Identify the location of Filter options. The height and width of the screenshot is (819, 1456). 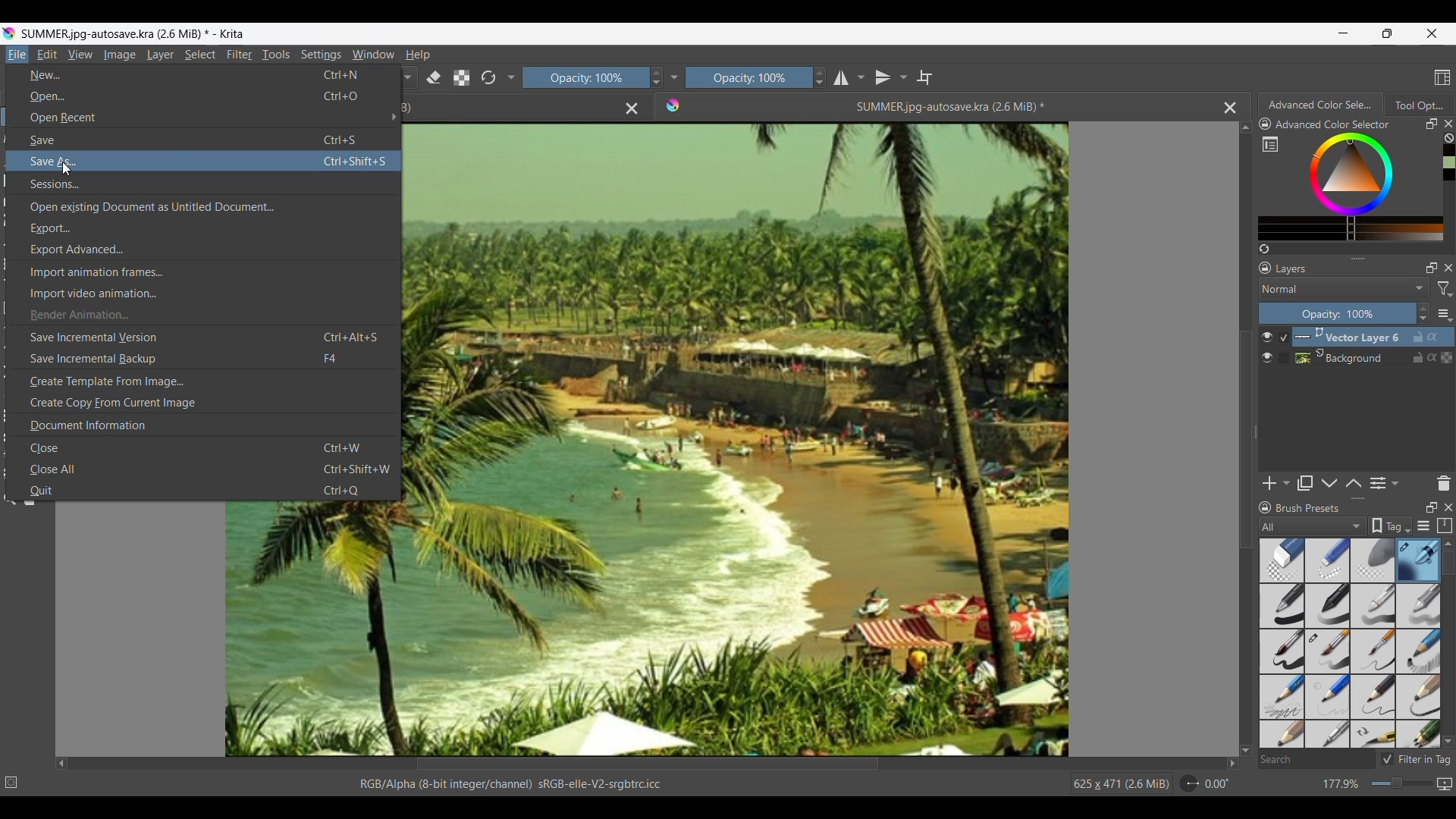
(1444, 289).